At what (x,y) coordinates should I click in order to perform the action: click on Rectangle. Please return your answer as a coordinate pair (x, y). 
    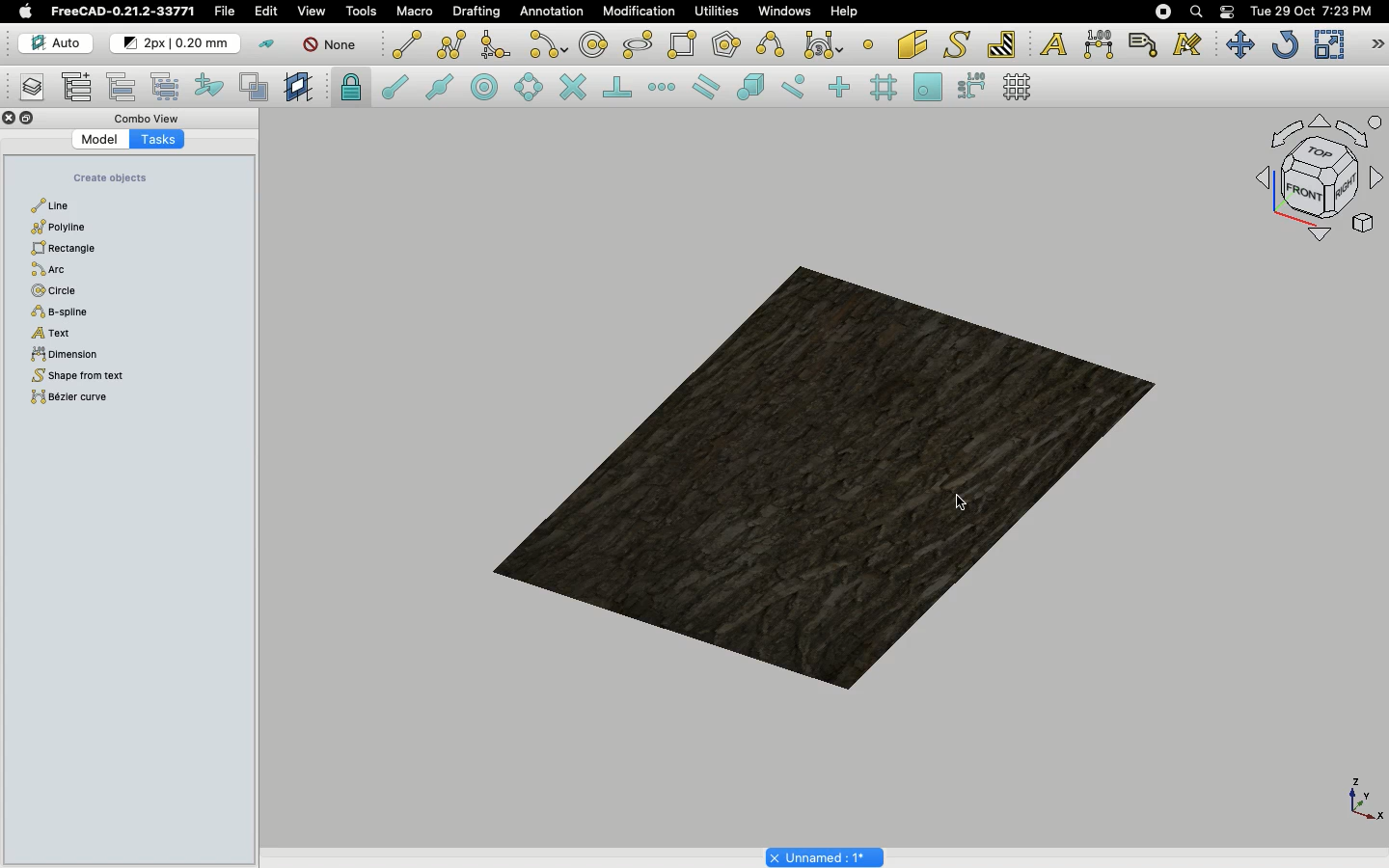
    Looking at the image, I should click on (63, 248).